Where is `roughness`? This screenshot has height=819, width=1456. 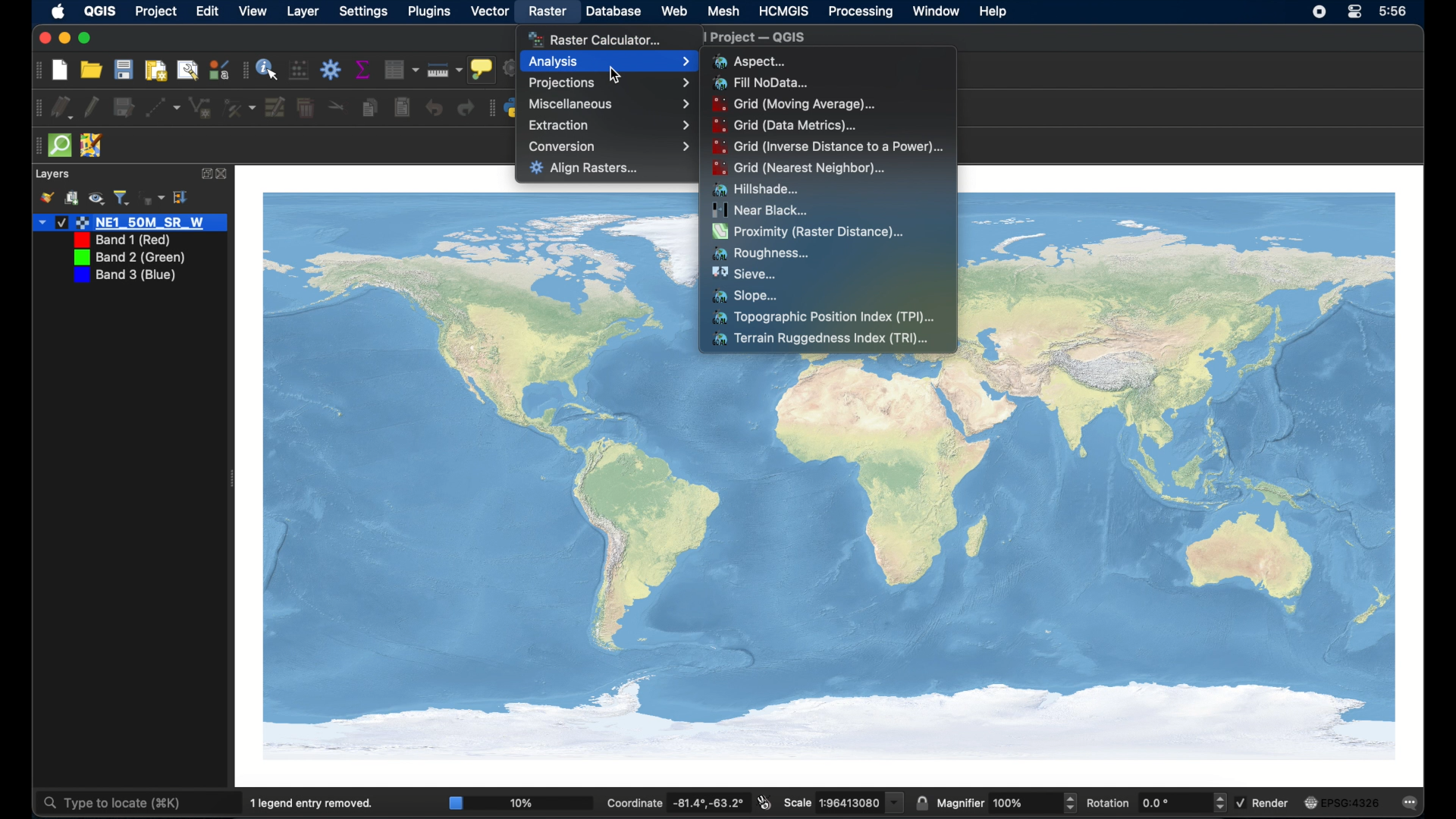 roughness is located at coordinates (762, 253).